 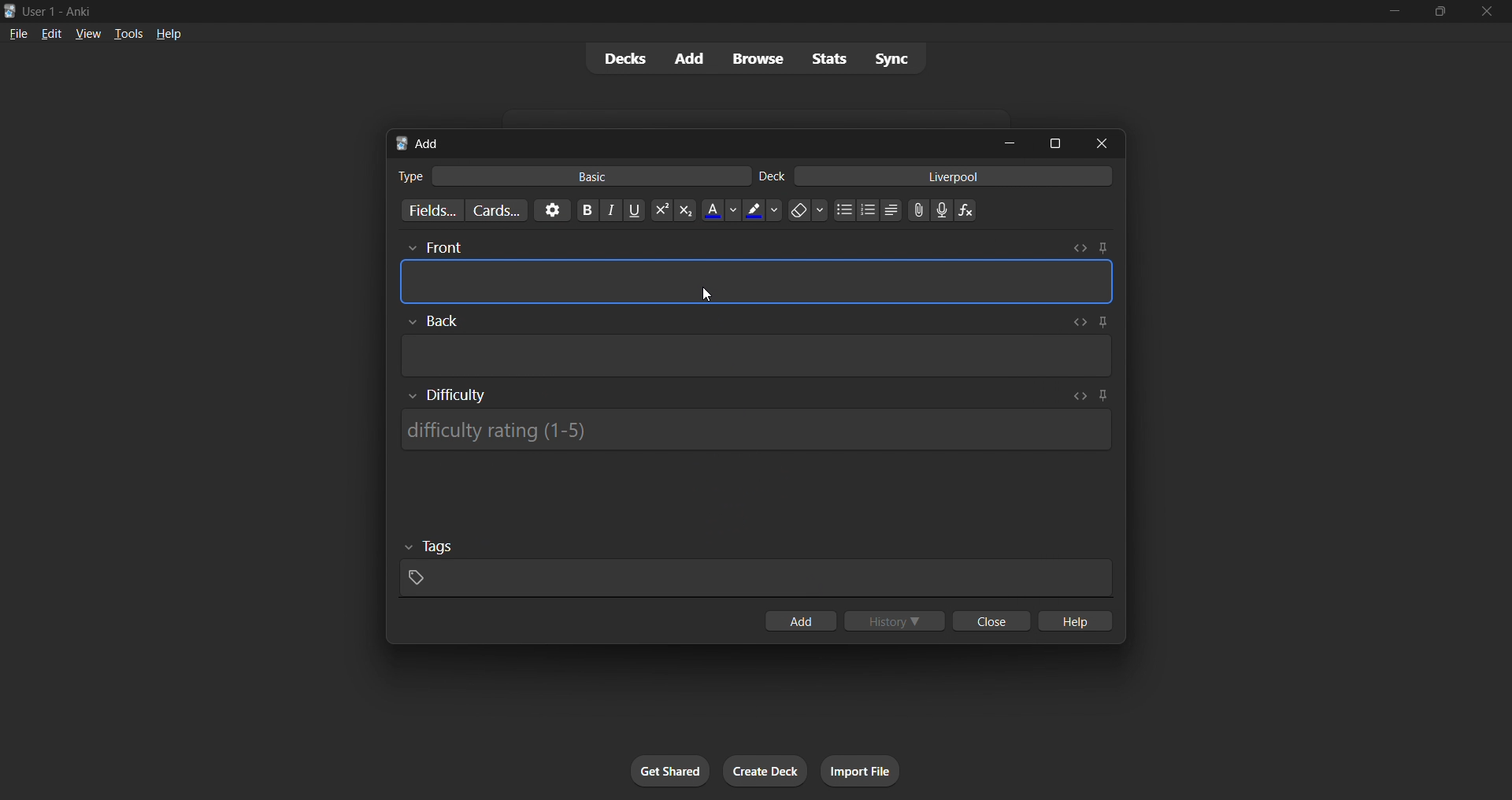 I want to click on , so click(x=434, y=249).